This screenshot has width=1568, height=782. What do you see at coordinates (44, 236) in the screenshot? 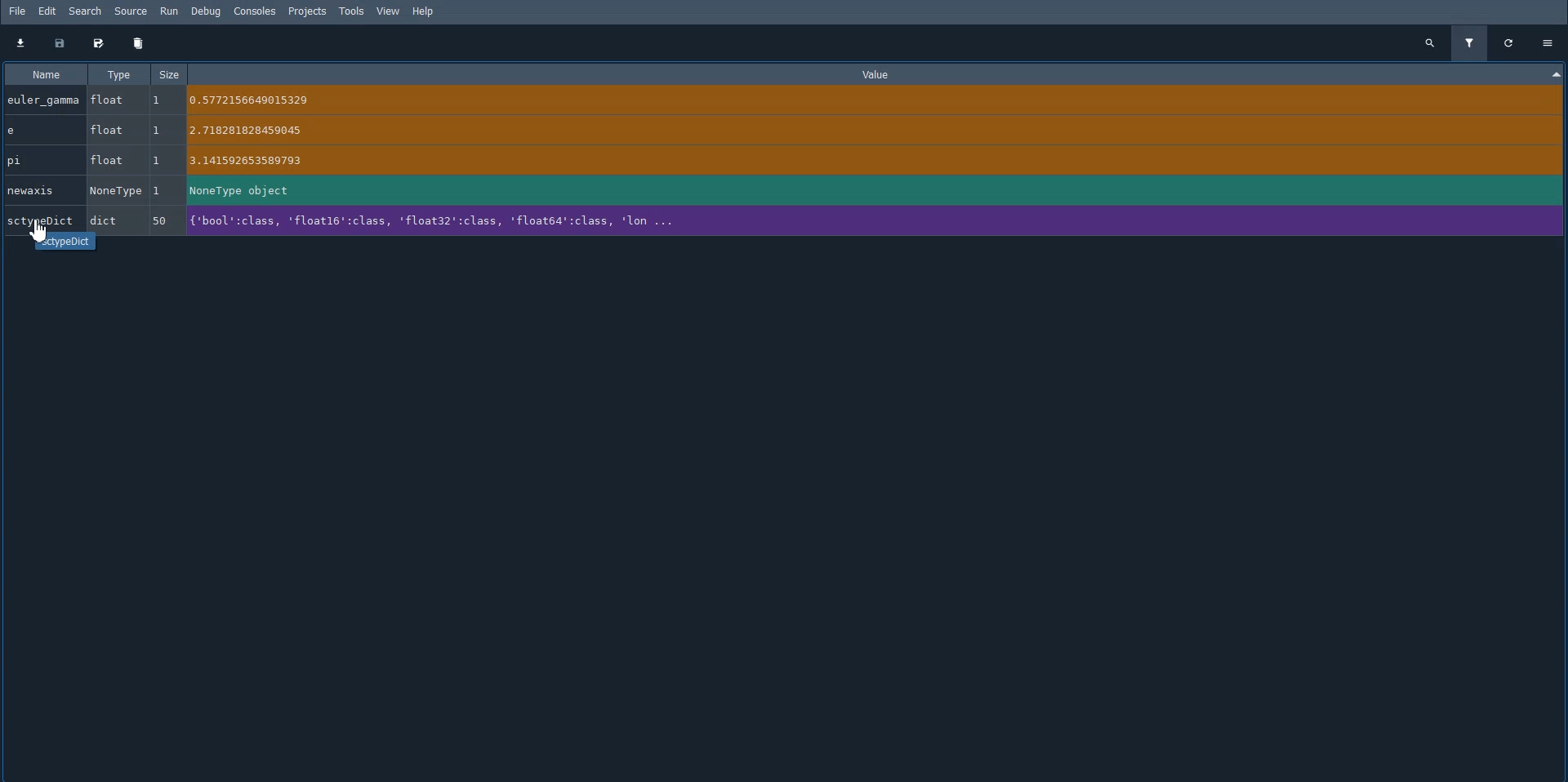
I see `Cursor` at bounding box center [44, 236].